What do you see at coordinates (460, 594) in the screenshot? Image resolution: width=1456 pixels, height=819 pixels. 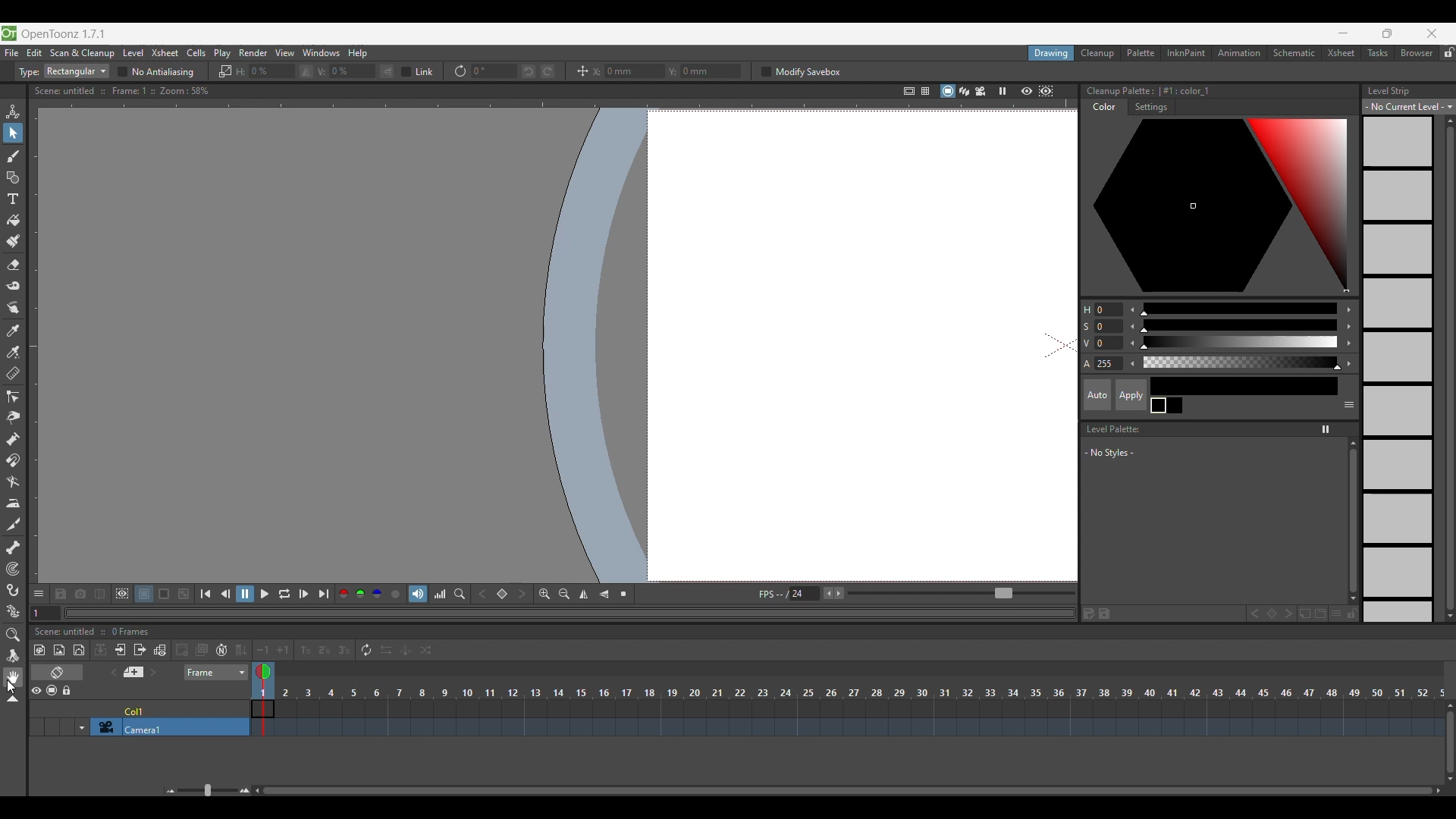 I see `Locator` at bounding box center [460, 594].